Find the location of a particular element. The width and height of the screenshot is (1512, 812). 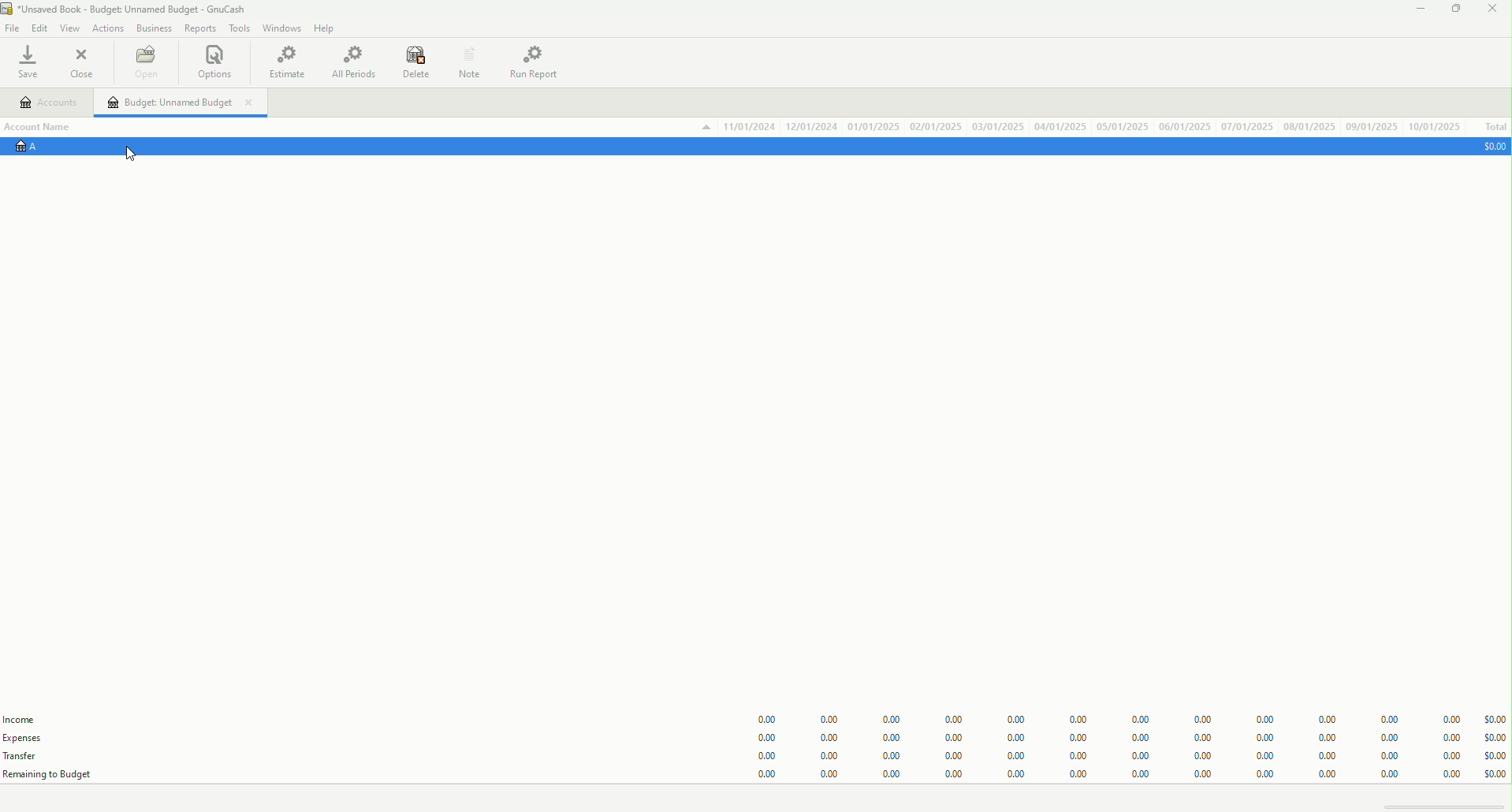

Restore is located at coordinates (1455, 11).